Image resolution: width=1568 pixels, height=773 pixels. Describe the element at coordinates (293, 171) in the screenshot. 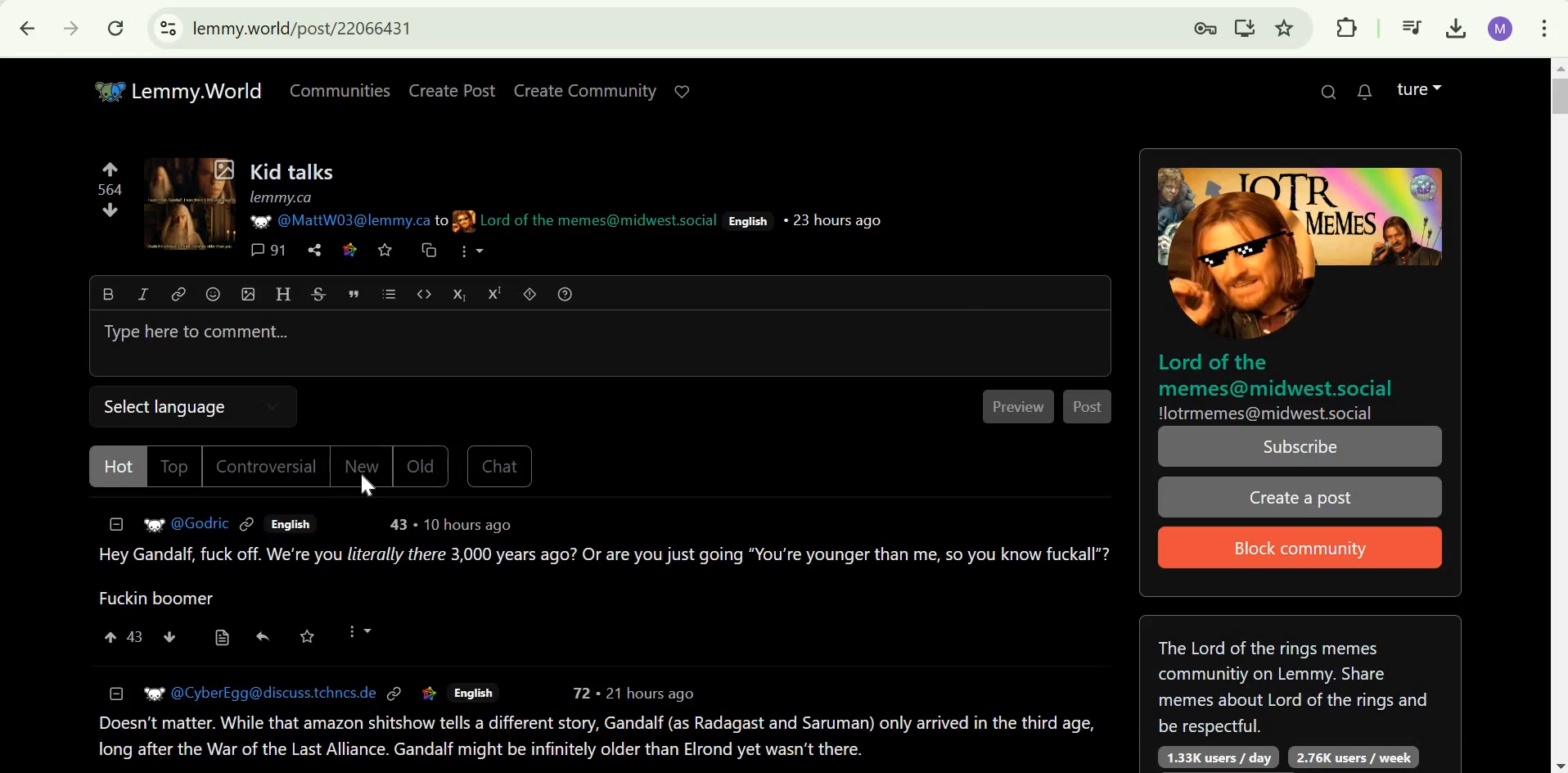

I see `Kid talks` at that location.